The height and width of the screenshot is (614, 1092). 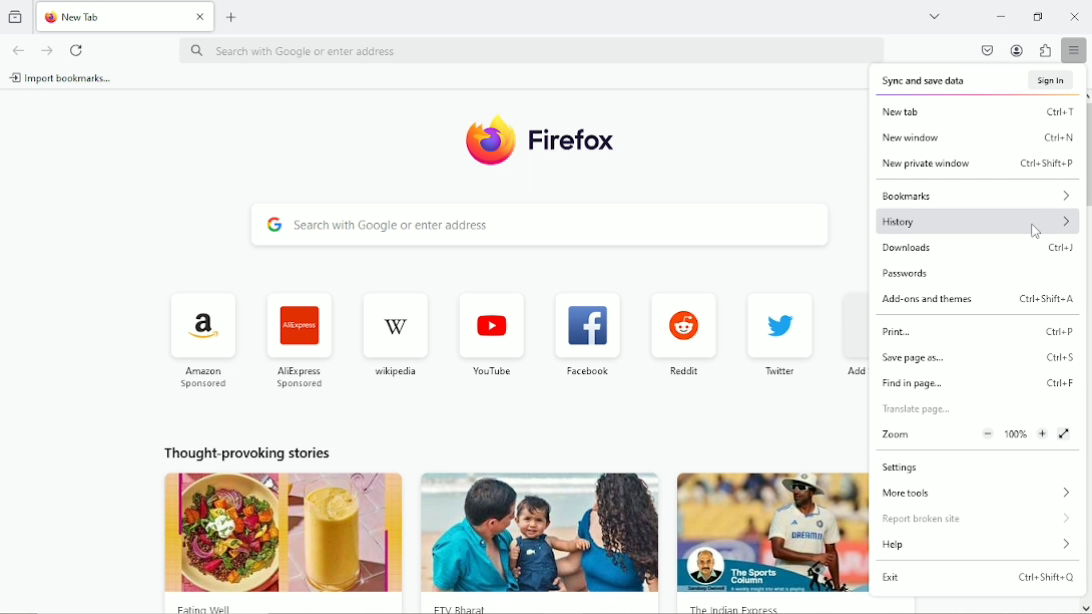 I want to click on icon, so click(x=198, y=328).